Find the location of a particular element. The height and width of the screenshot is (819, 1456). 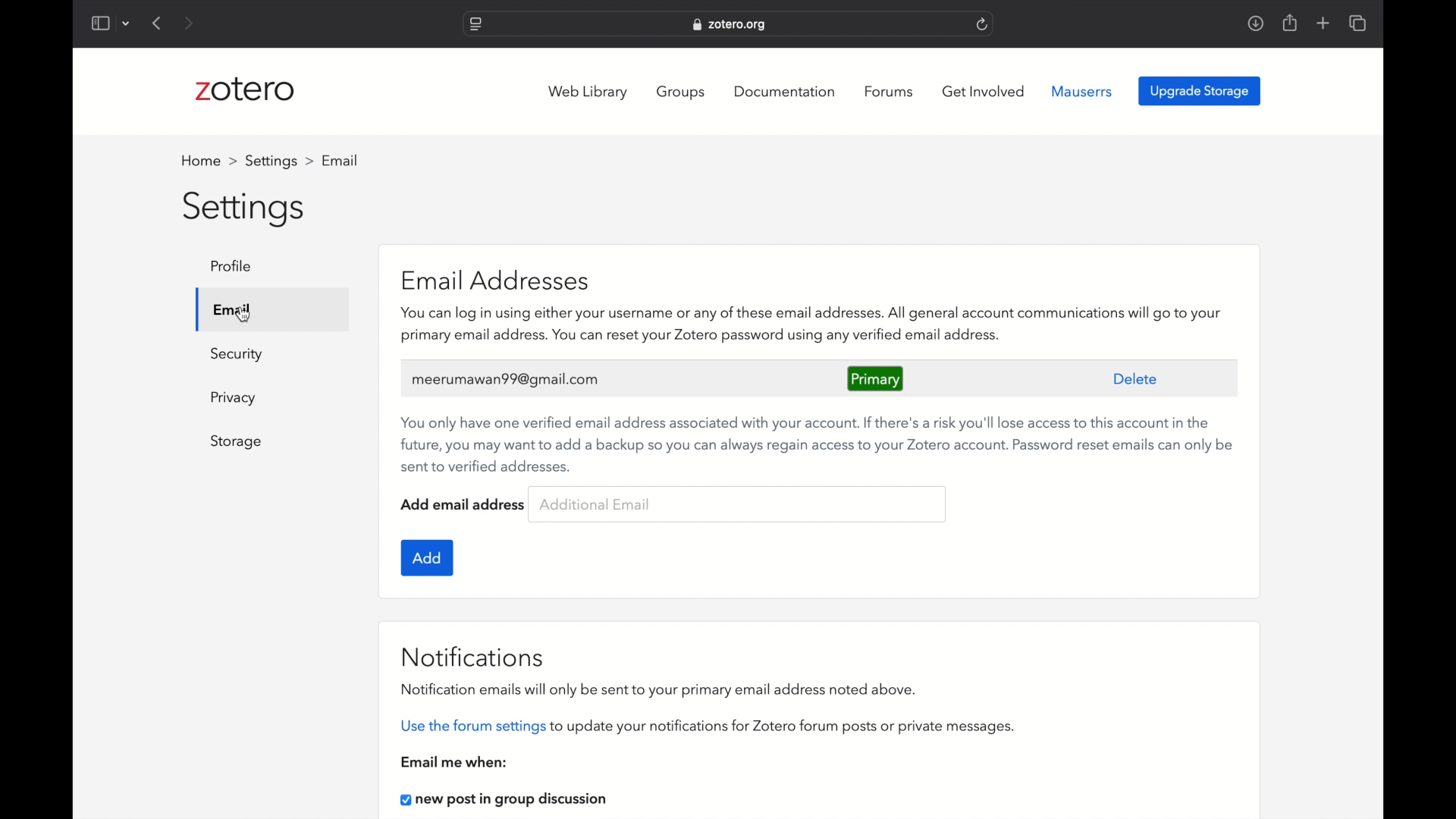

storage is located at coordinates (236, 442).